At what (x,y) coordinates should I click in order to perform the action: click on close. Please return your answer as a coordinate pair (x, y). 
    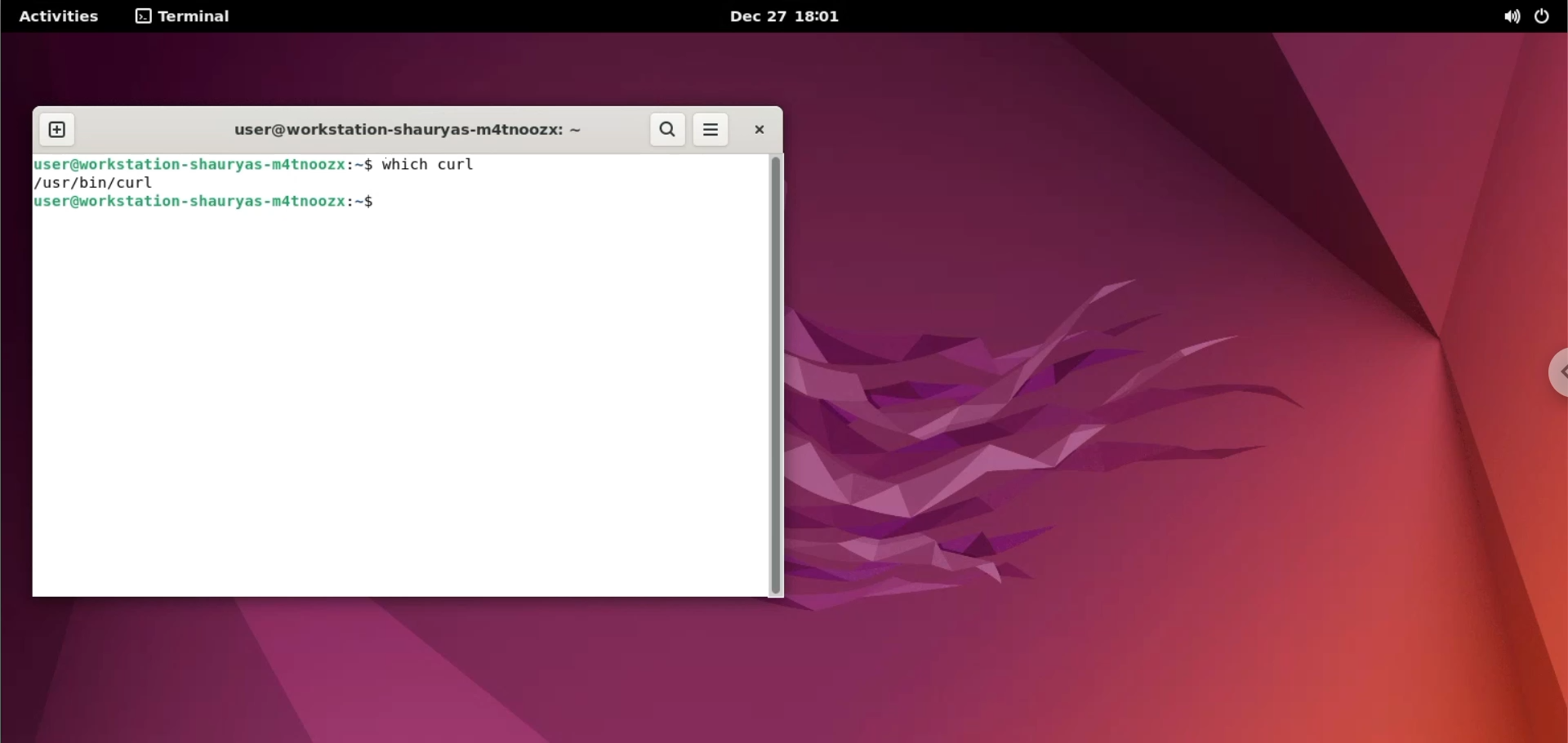
    Looking at the image, I should click on (759, 128).